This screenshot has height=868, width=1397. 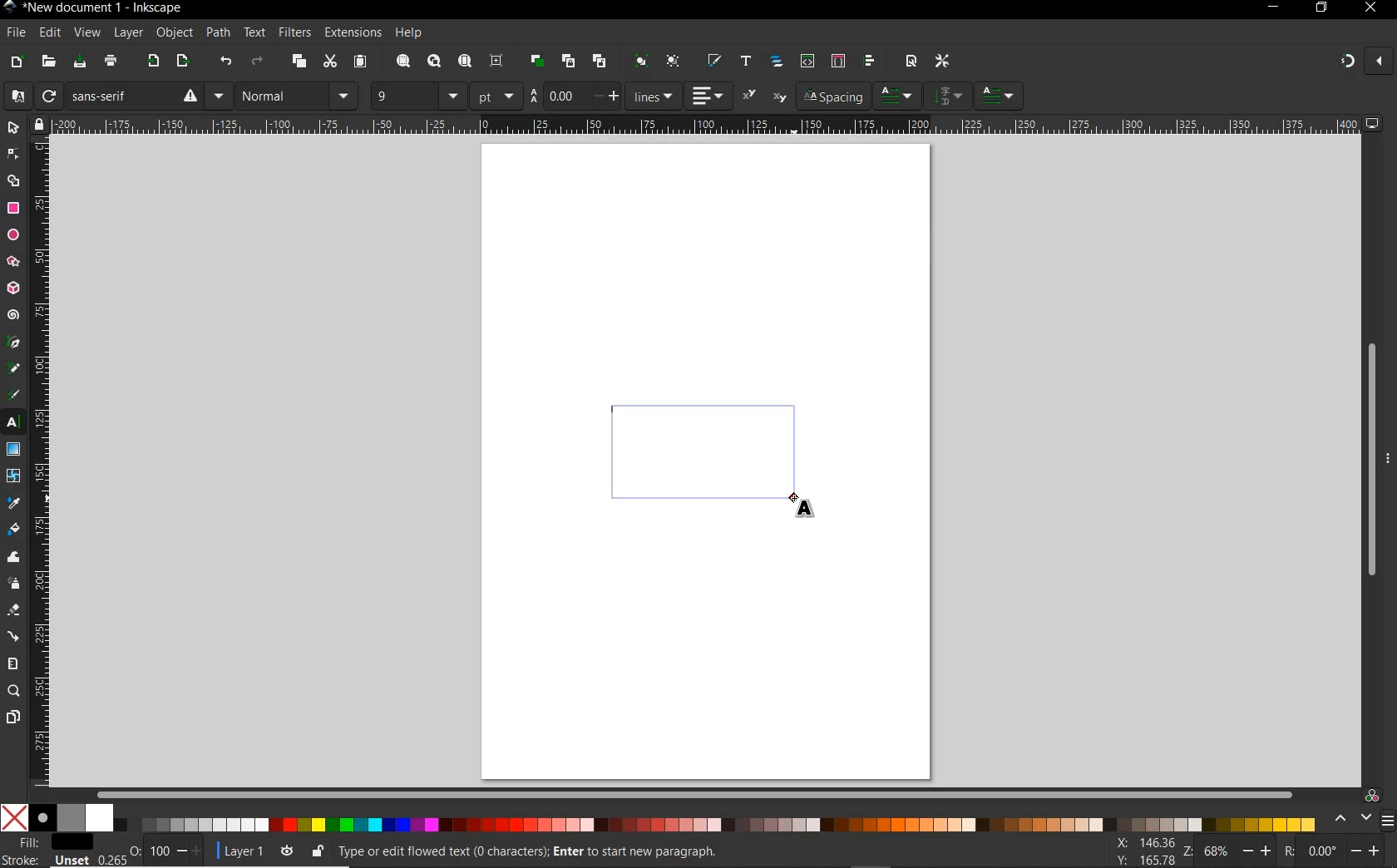 What do you see at coordinates (13, 263) in the screenshot?
I see `star tool` at bounding box center [13, 263].